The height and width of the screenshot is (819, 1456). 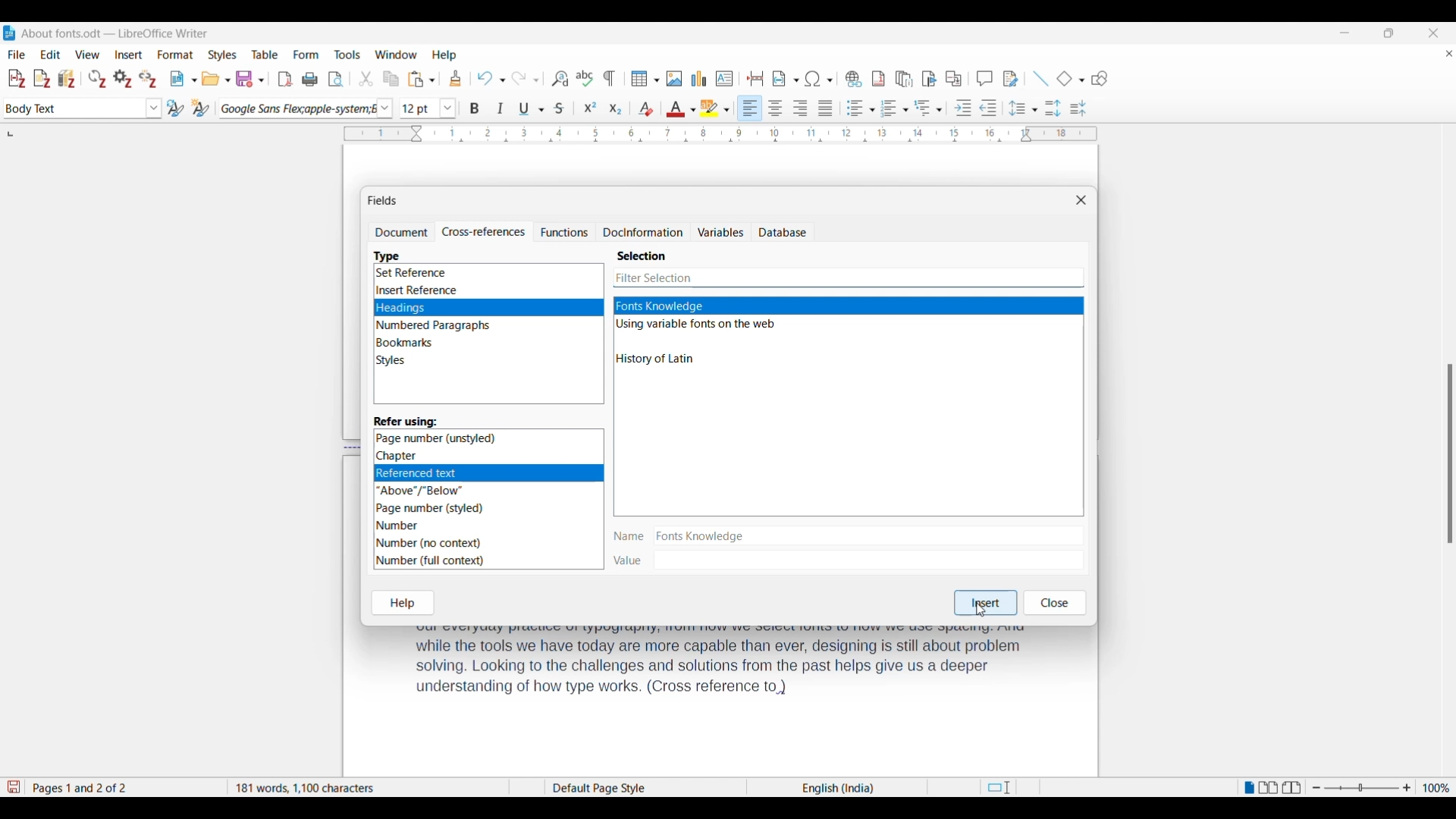 What do you see at coordinates (1316, 789) in the screenshot?
I see `Zoom out` at bounding box center [1316, 789].